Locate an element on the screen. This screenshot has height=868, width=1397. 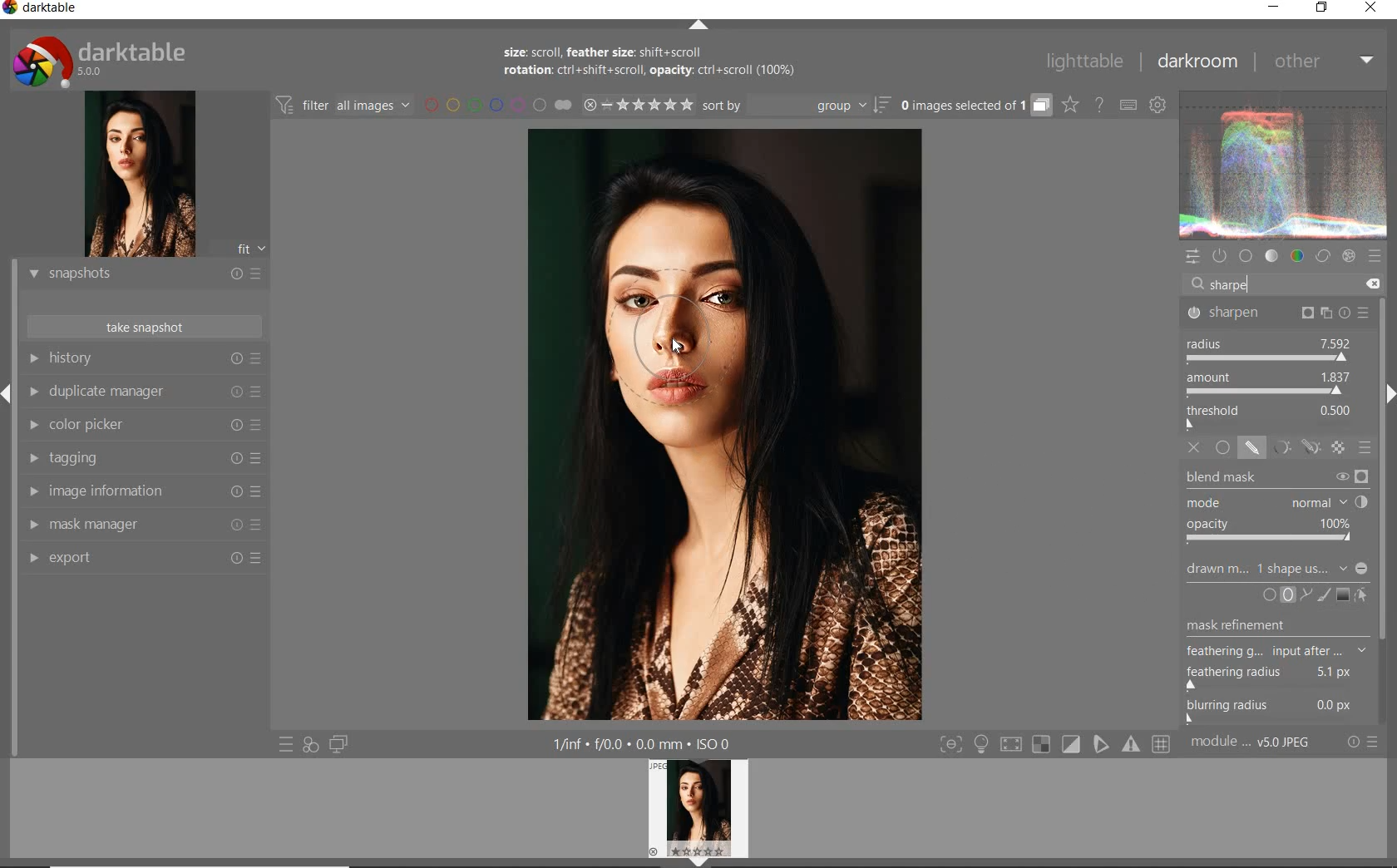
sort is located at coordinates (795, 104).